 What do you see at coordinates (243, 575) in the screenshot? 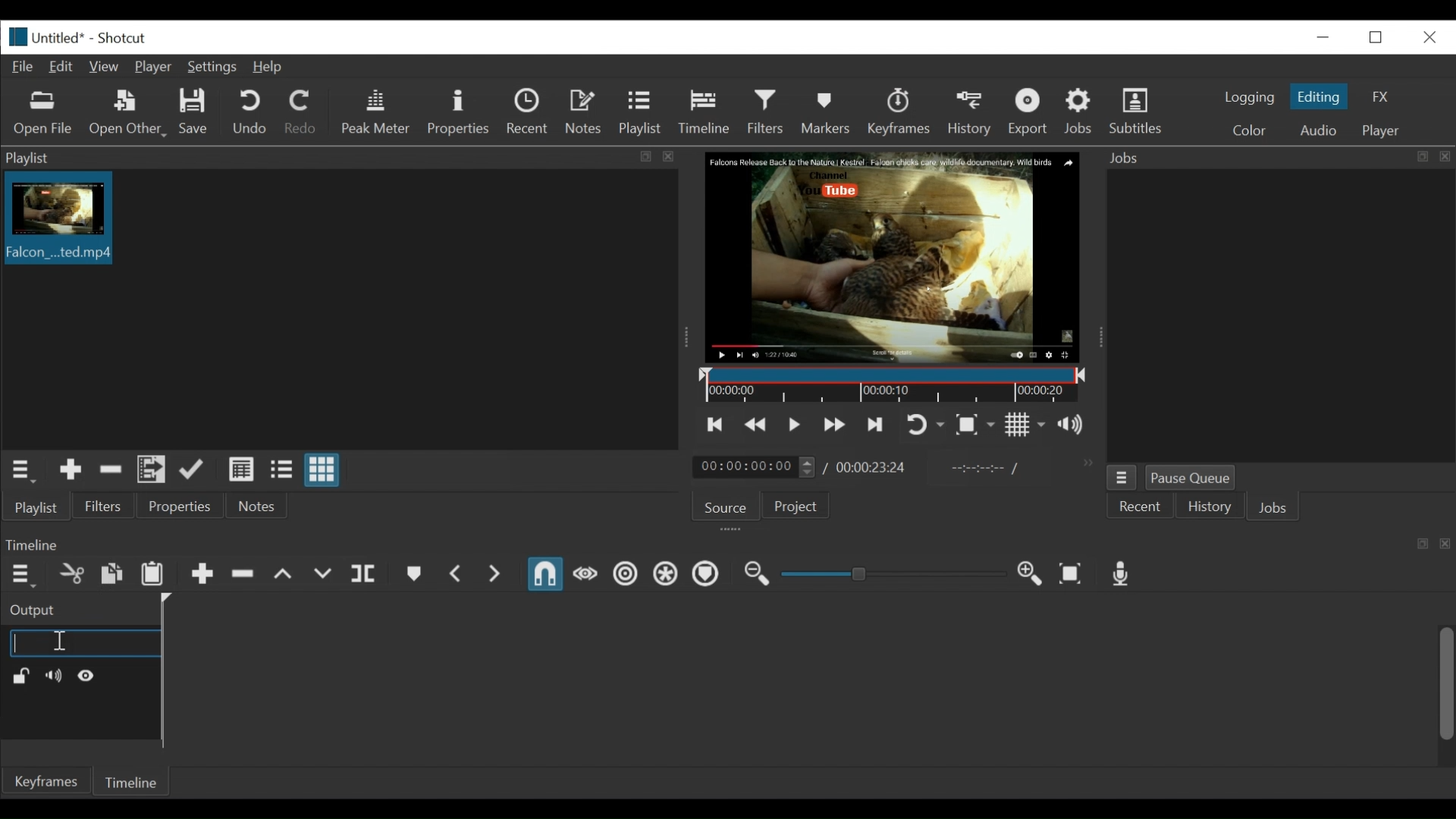
I see `Ripple delete` at bounding box center [243, 575].